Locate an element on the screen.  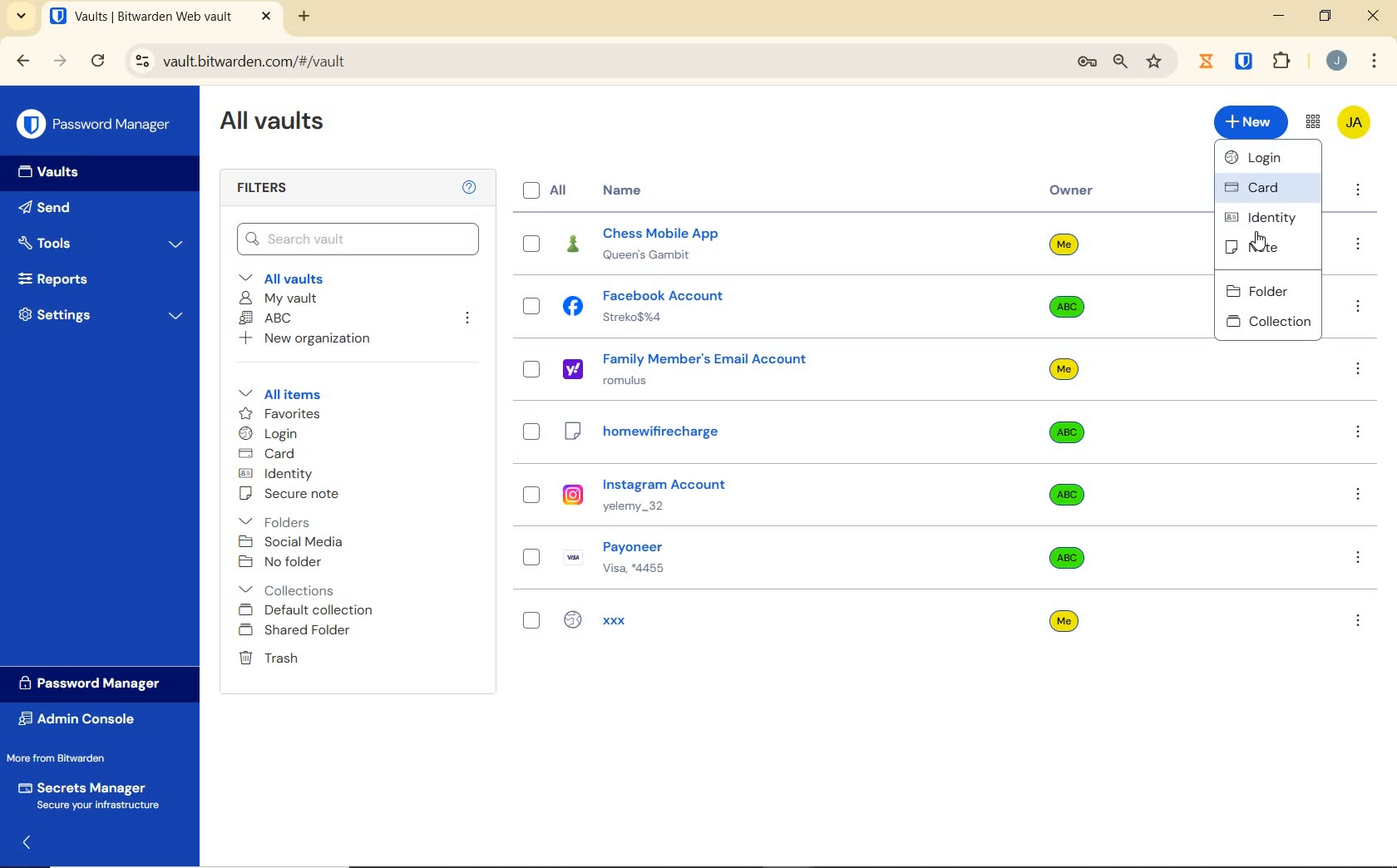
checkbox is located at coordinates (531, 370).